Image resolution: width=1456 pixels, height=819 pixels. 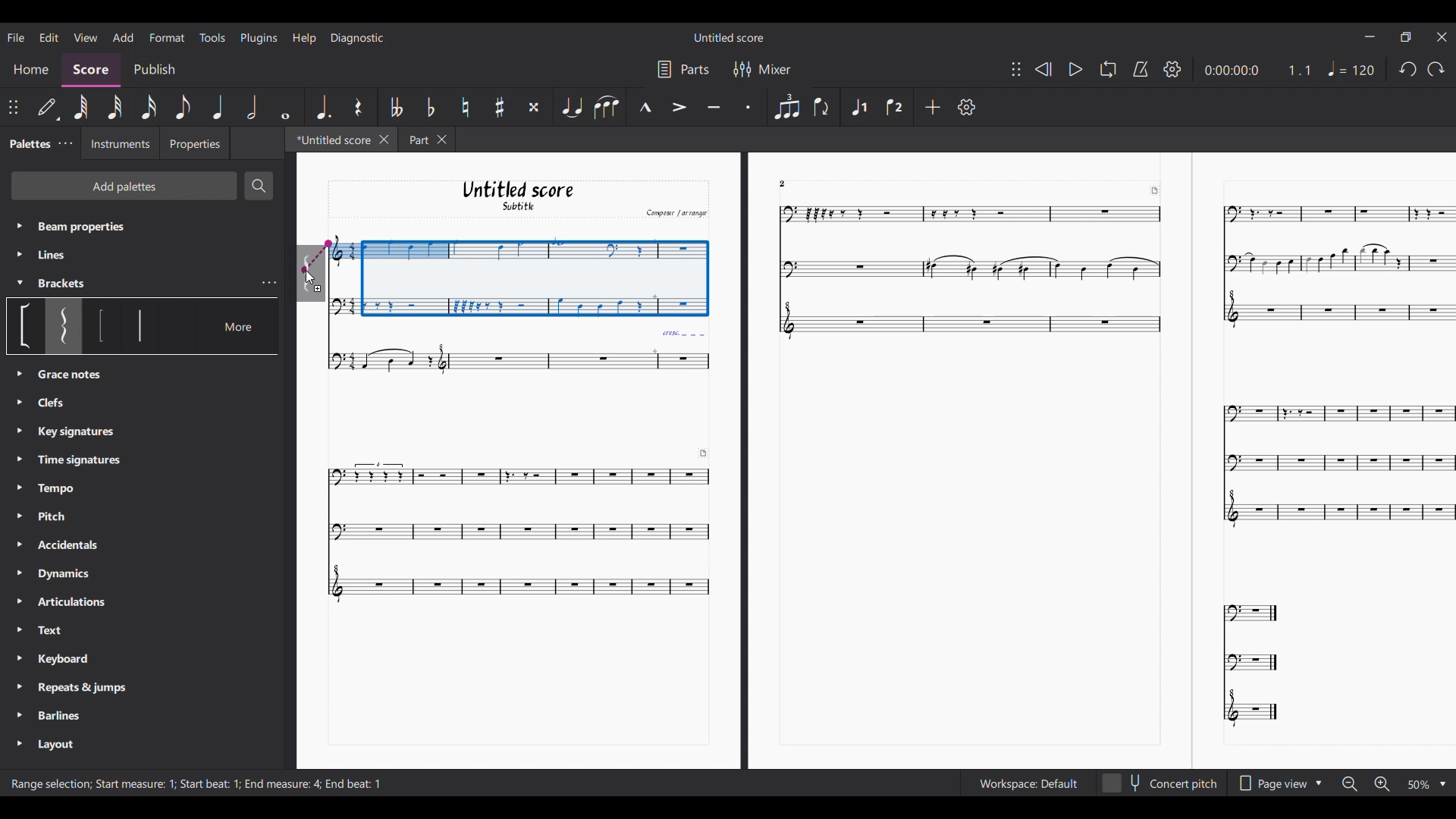 What do you see at coordinates (66, 547) in the screenshot?
I see `Accidentals` at bounding box center [66, 547].